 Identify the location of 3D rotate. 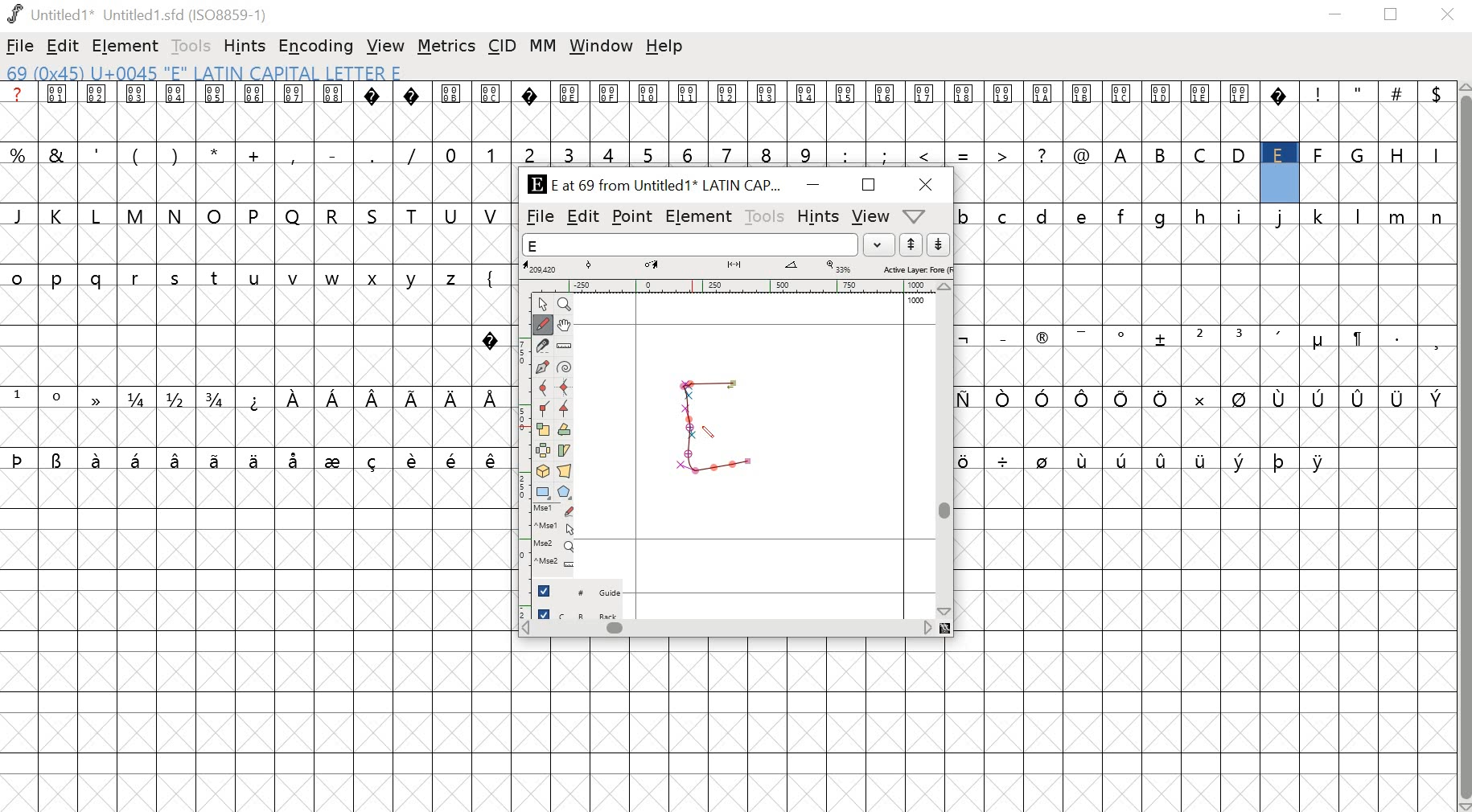
(543, 473).